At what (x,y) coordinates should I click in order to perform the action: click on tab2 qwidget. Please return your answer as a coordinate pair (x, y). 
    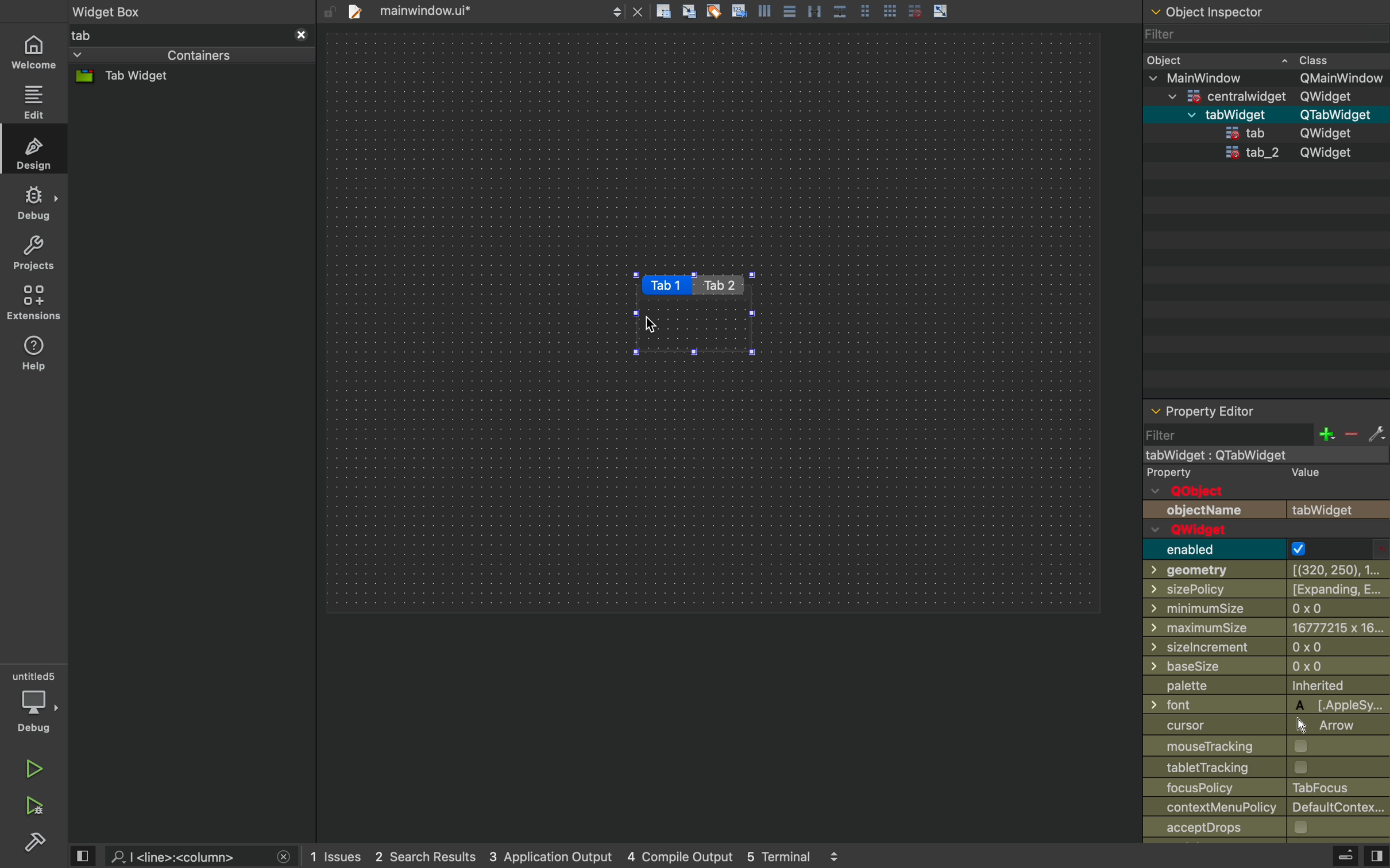
    Looking at the image, I should click on (1292, 153).